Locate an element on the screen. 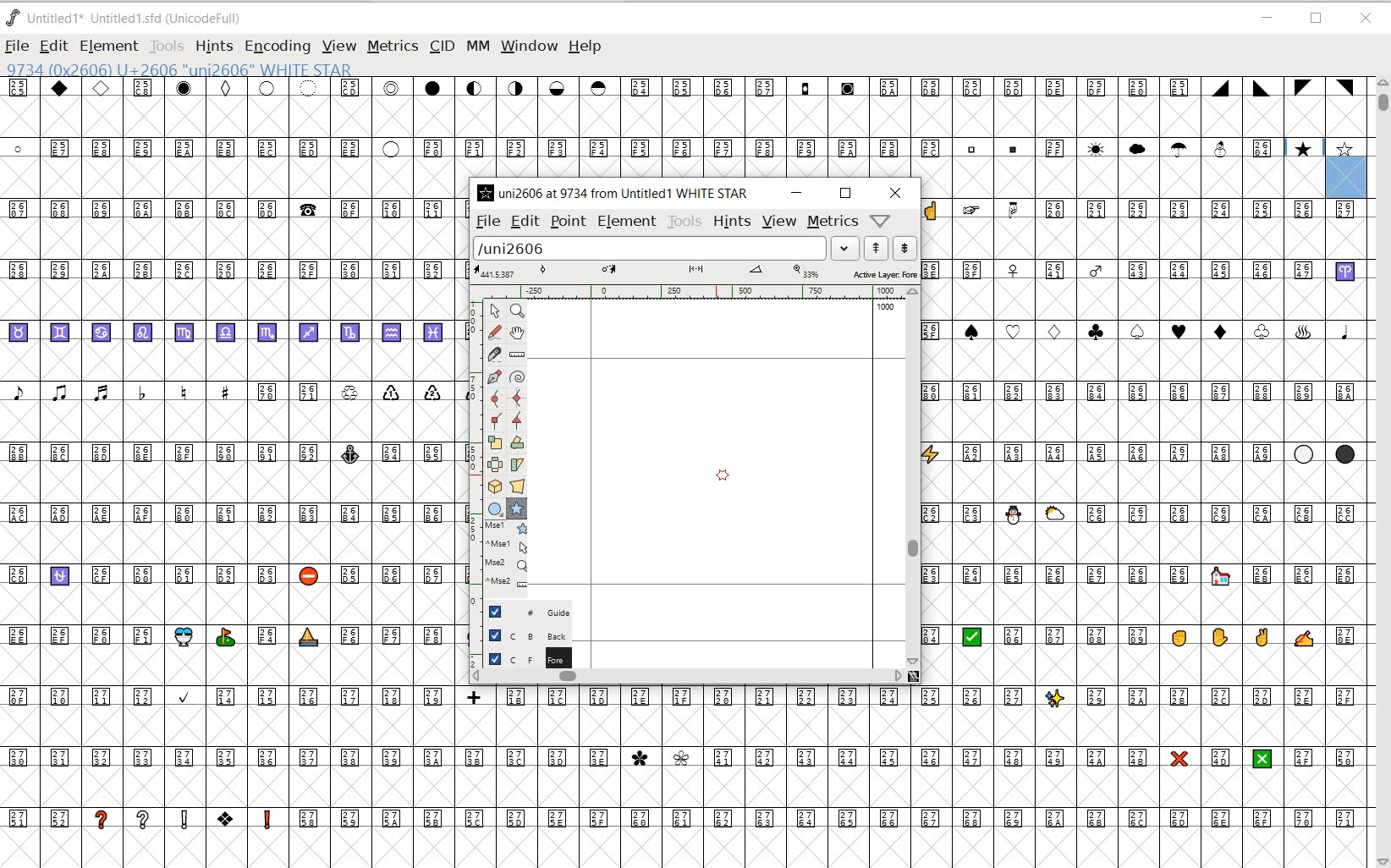 This screenshot has height=868, width=1391. CLOSE is located at coordinates (895, 193).